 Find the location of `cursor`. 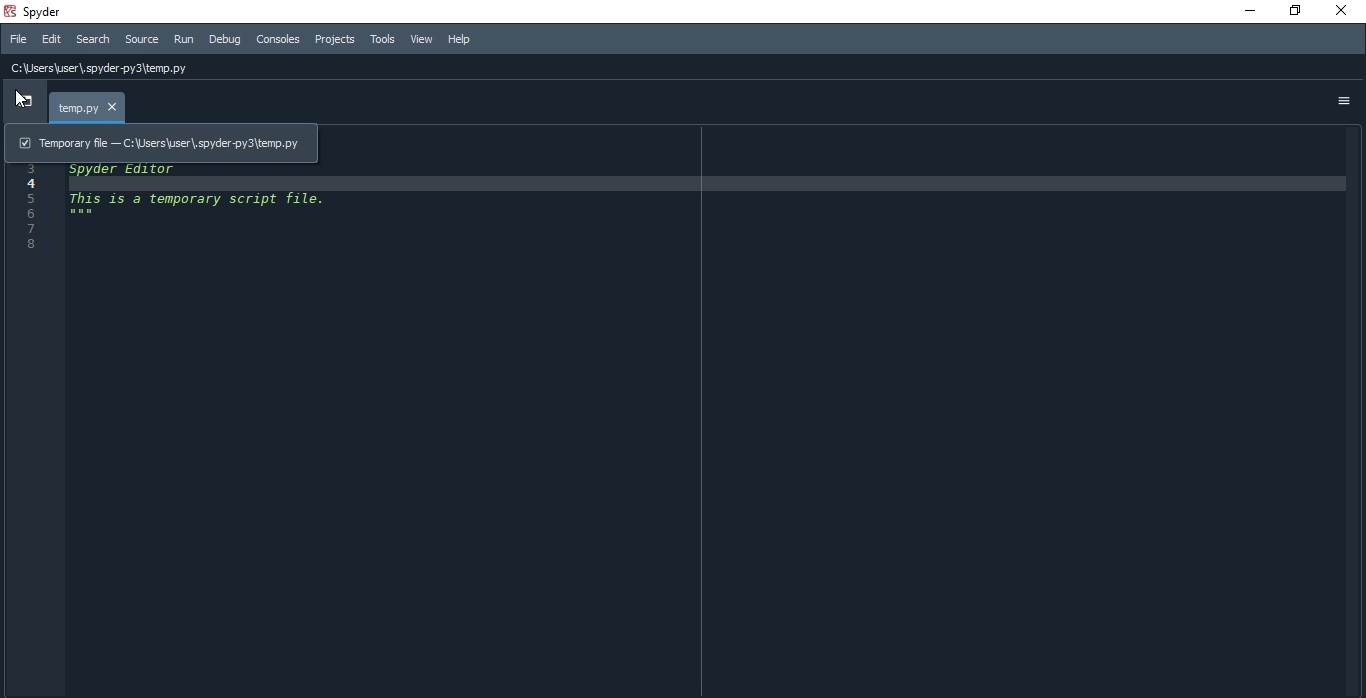

cursor is located at coordinates (22, 101).